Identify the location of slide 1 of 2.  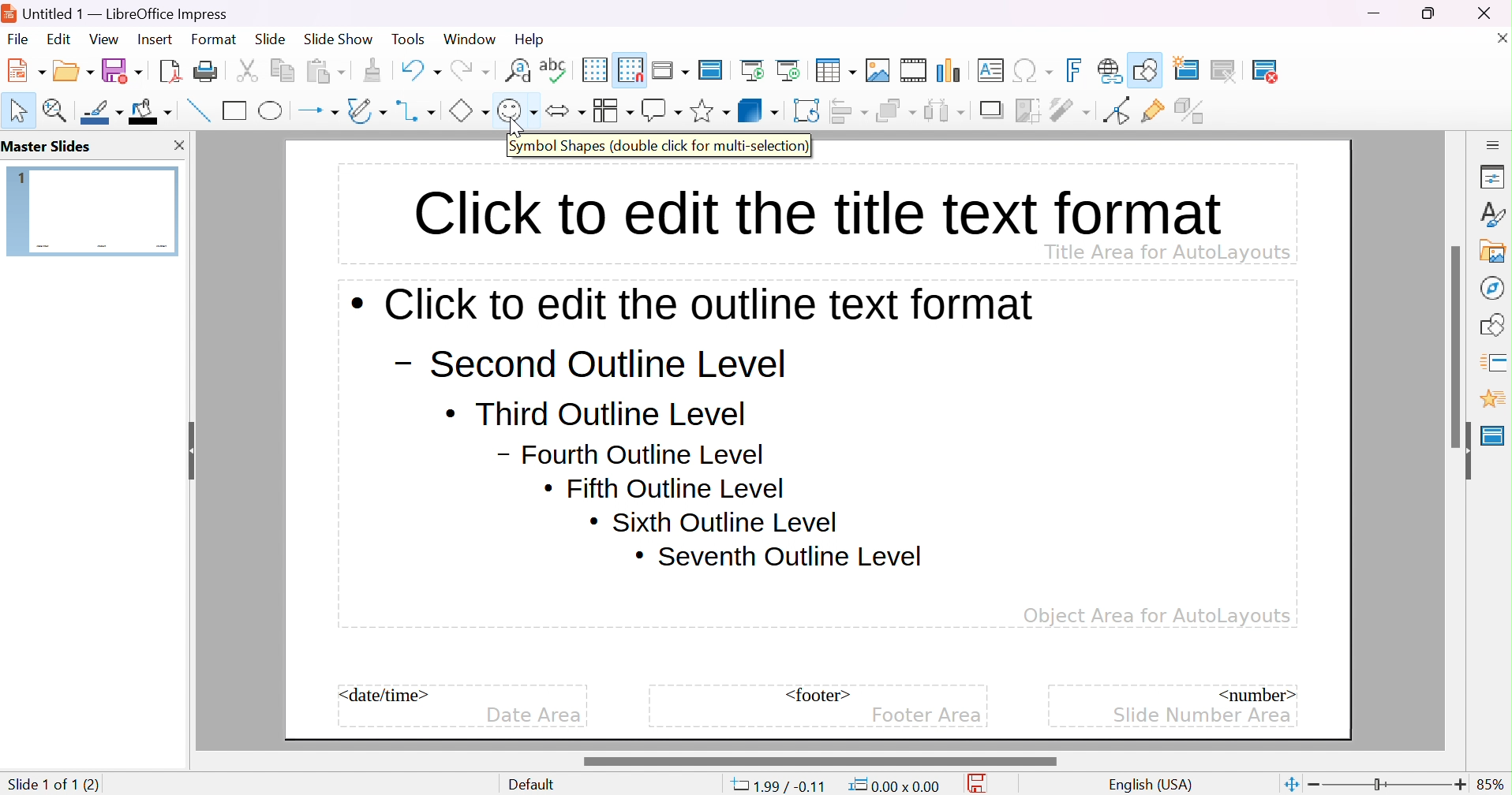
(43, 784).